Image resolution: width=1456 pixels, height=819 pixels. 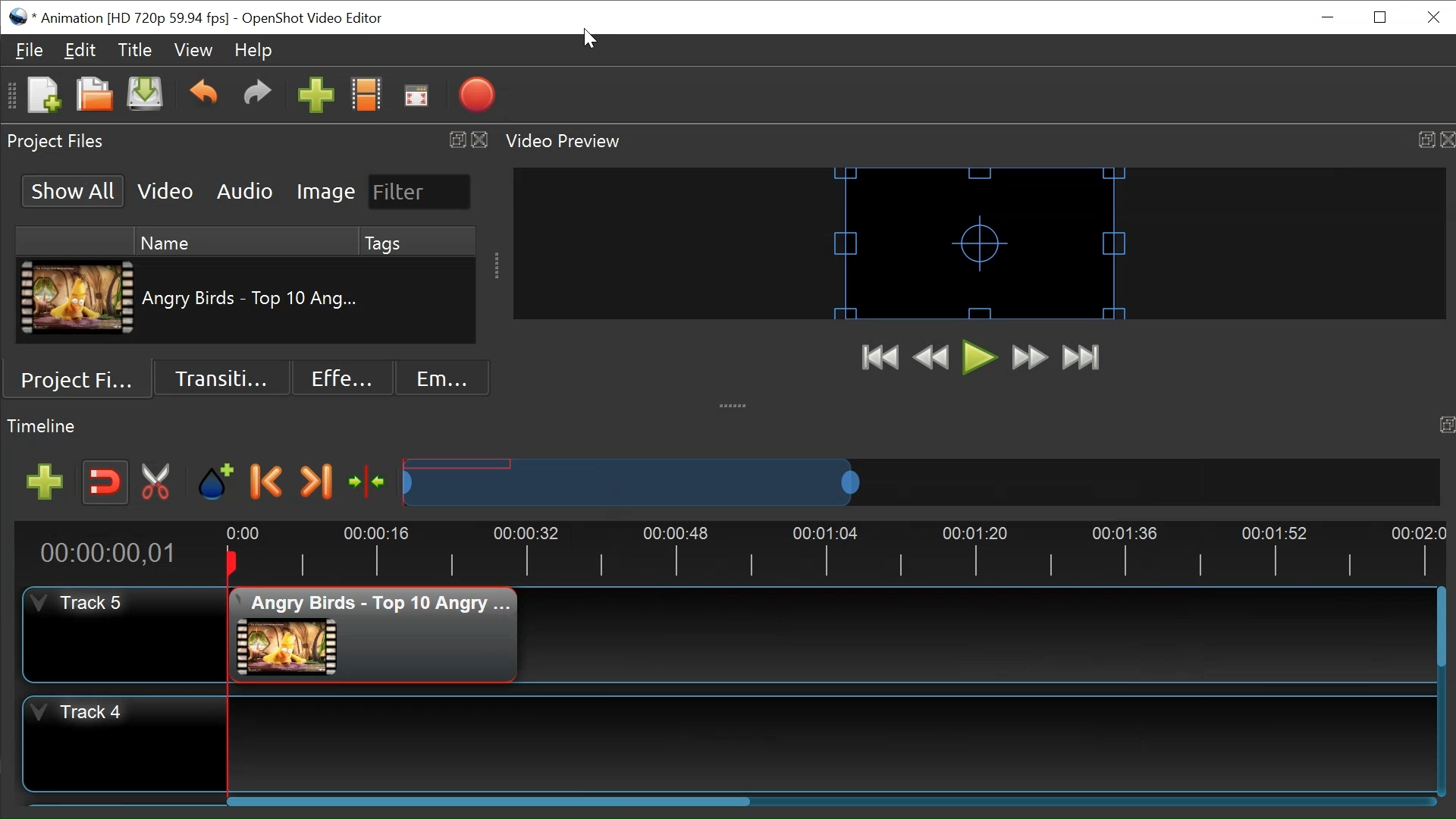 What do you see at coordinates (128, 18) in the screenshot?
I see `Project Name` at bounding box center [128, 18].